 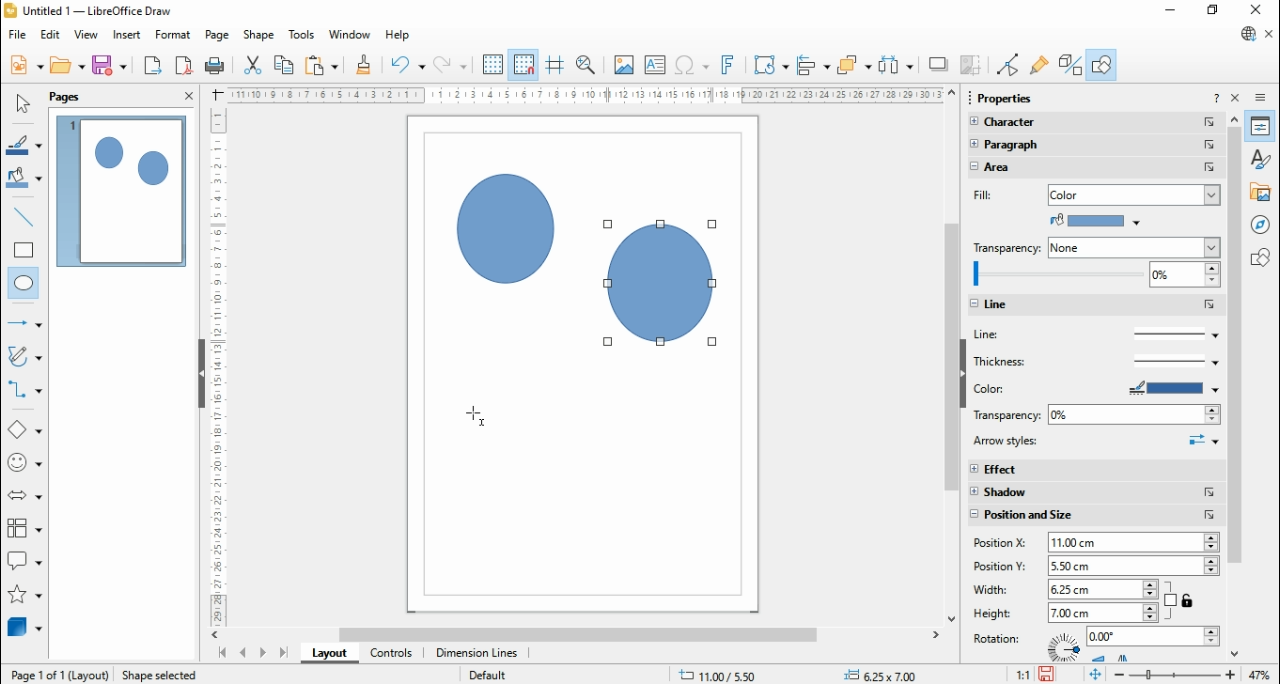 What do you see at coordinates (26, 217) in the screenshot?
I see `insert line` at bounding box center [26, 217].